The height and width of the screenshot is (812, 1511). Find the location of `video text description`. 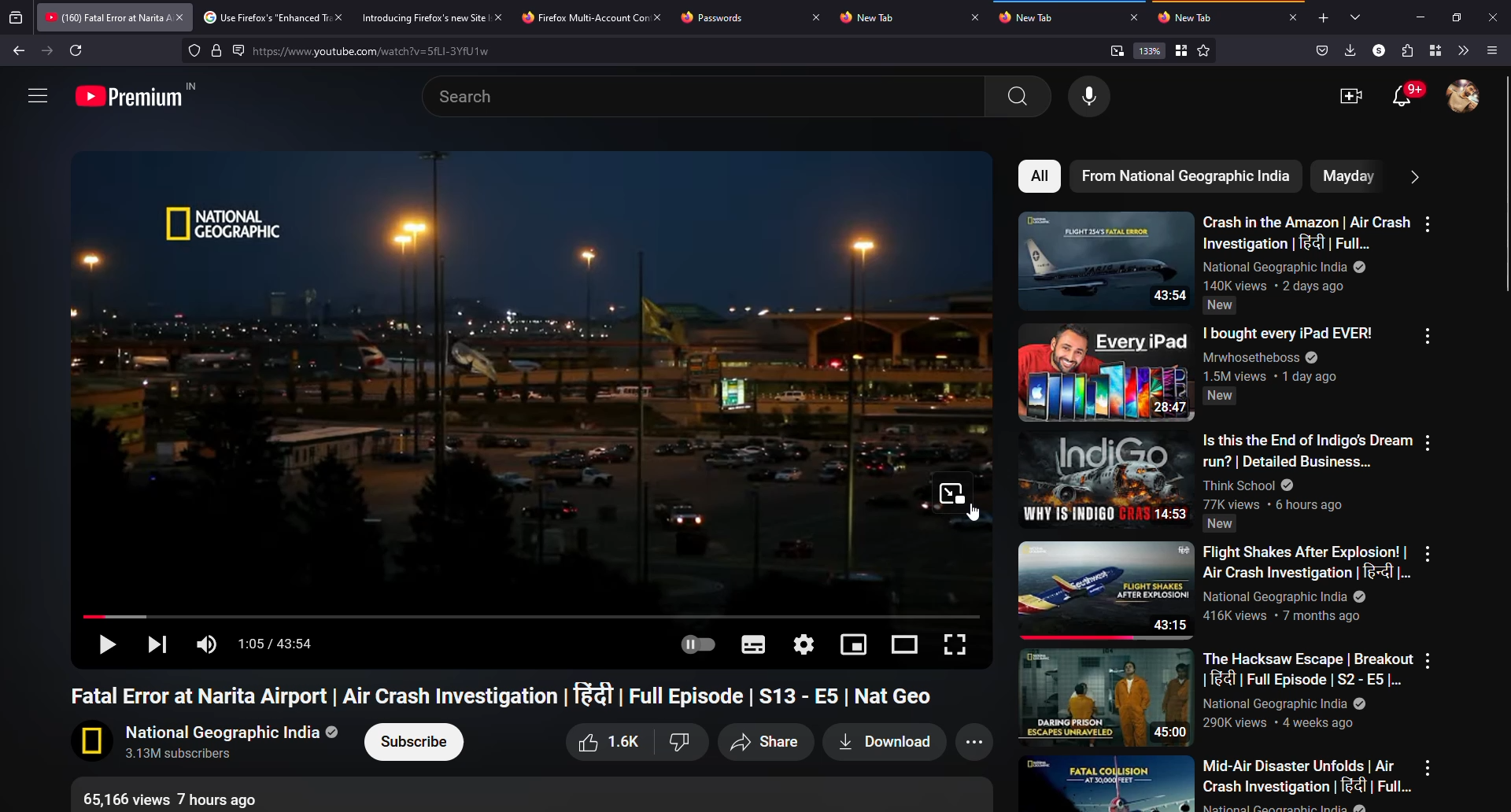

video text description is located at coordinates (1306, 251).